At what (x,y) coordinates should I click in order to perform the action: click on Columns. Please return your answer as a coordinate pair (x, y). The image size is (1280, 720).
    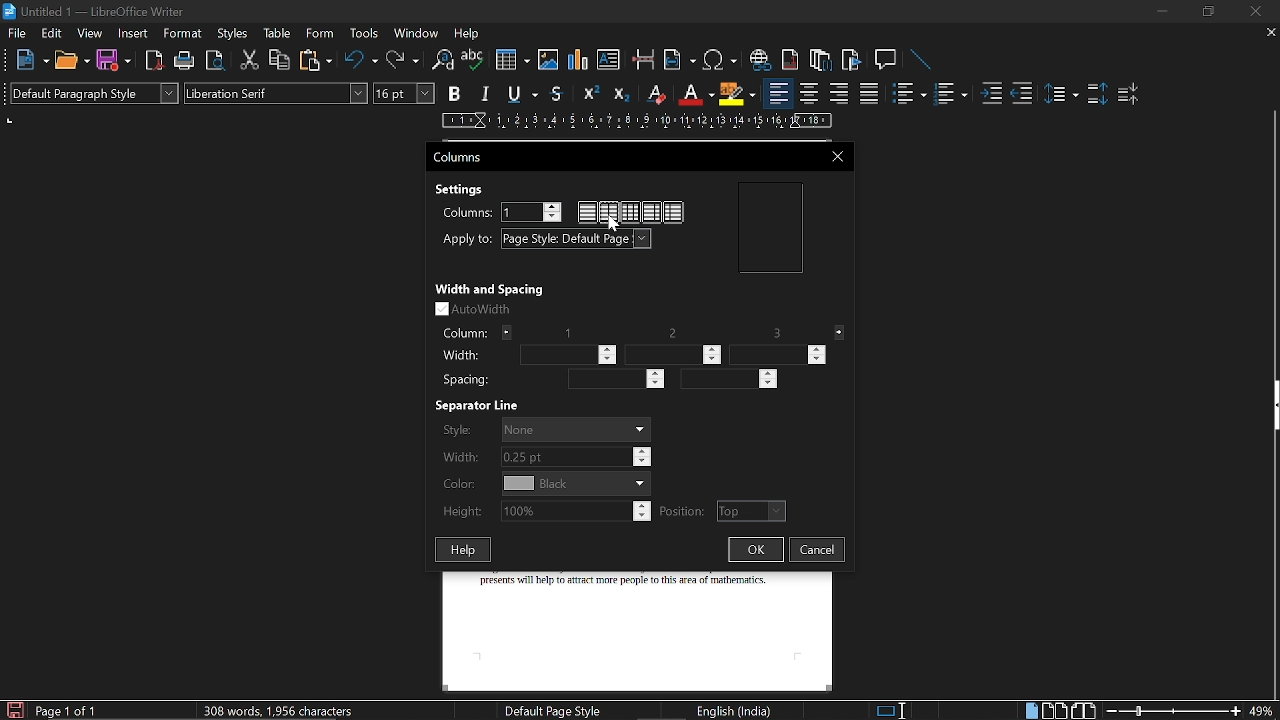
    Looking at the image, I should click on (466, 212).